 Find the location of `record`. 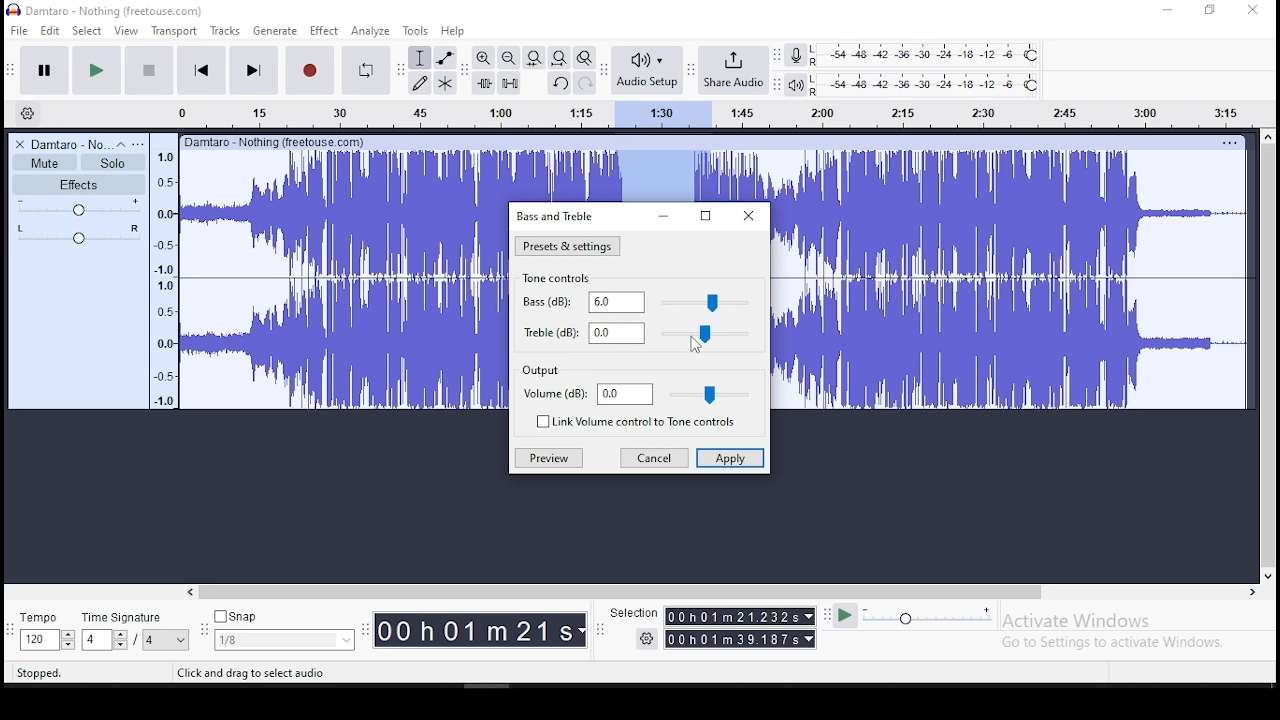

record is located at coordinates (308, 70).